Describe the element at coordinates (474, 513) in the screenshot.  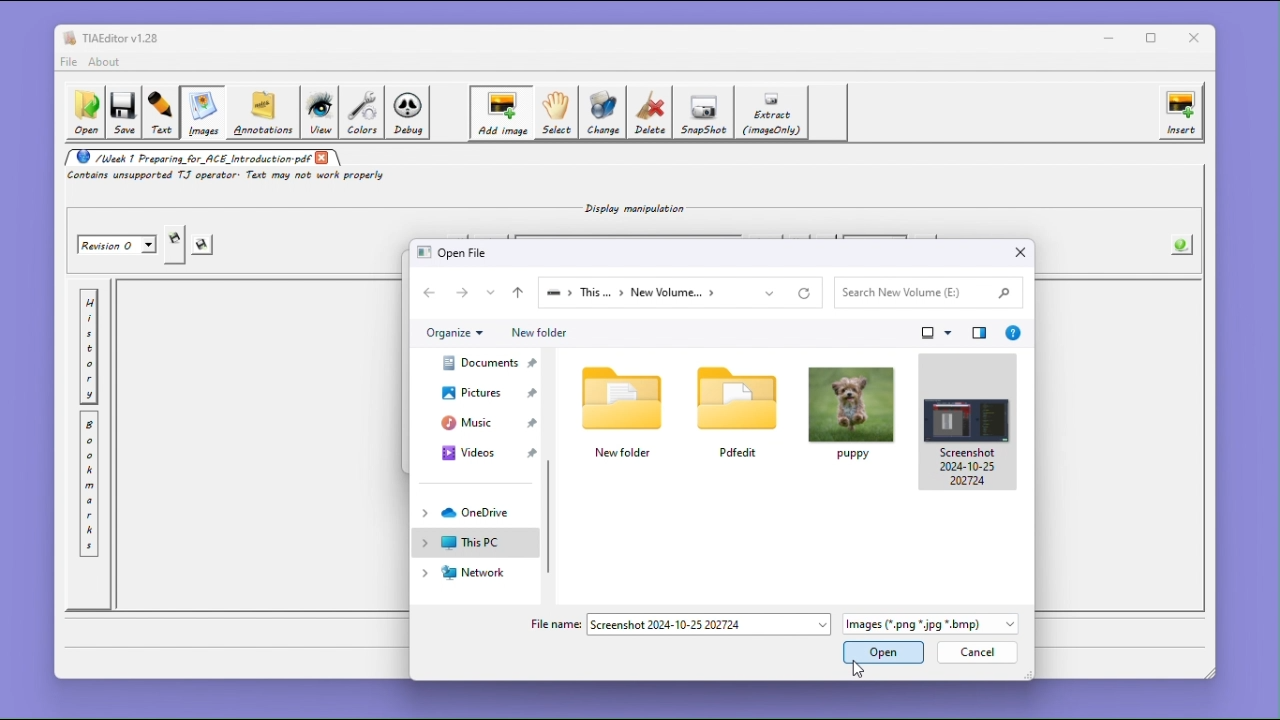
I see `OneDrive` at that location.